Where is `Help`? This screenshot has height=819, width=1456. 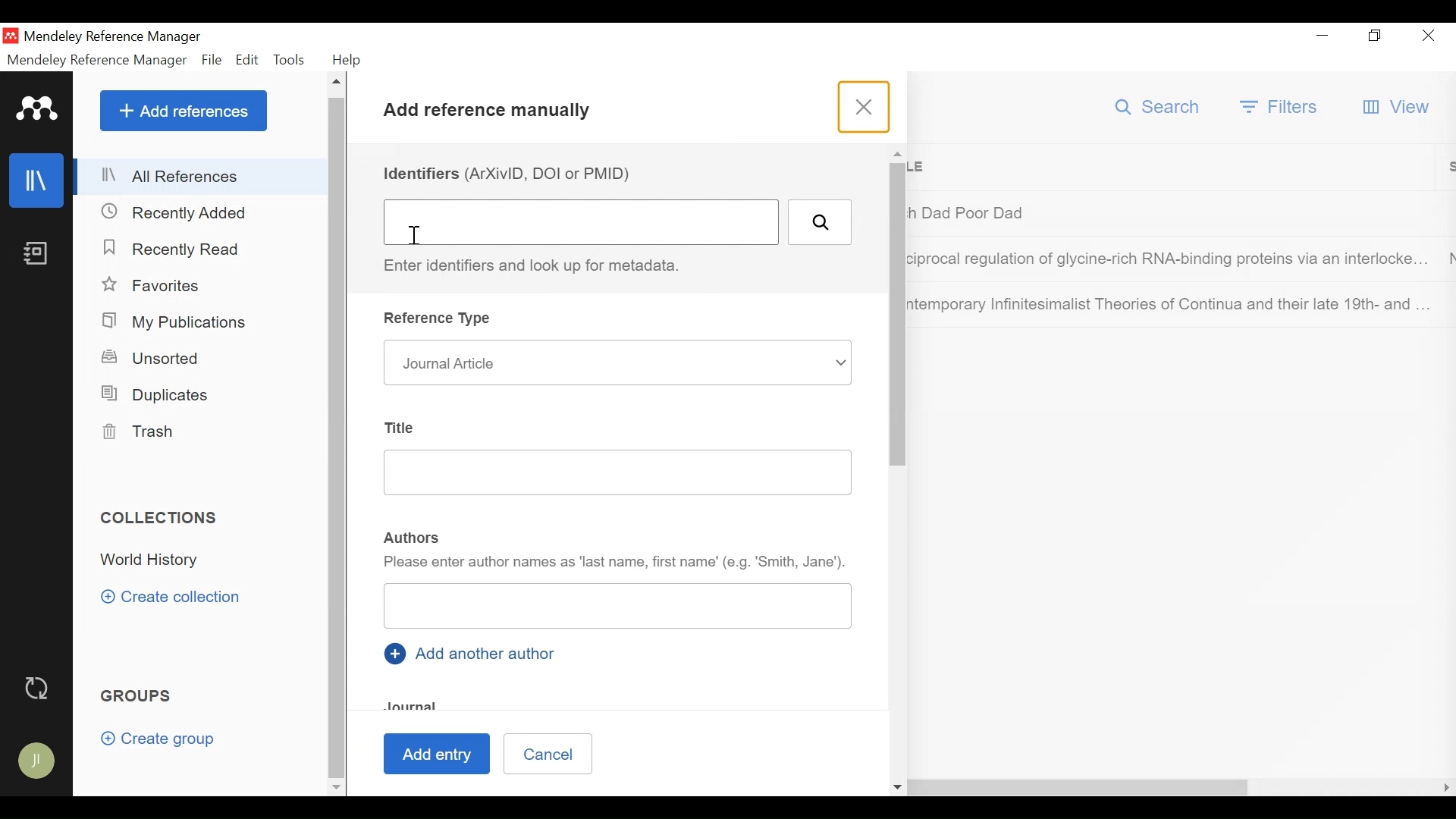
Help is located at coordinates (347, 60).